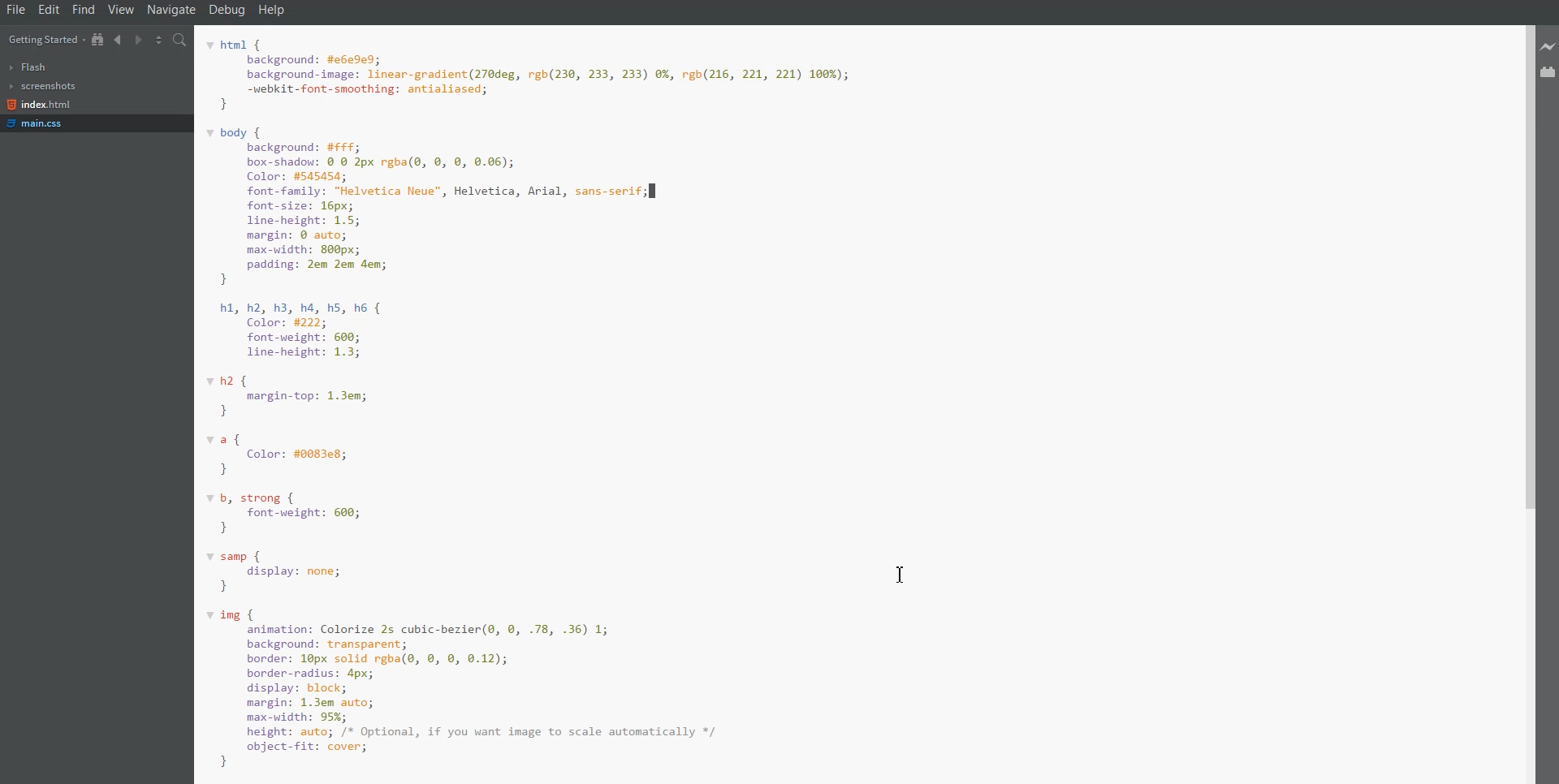 The width and height of the screenshot is (1559, 784). Describe the element at coordinates (119, 39) in the screenshot. I see `Navigate Backwards` at that location.